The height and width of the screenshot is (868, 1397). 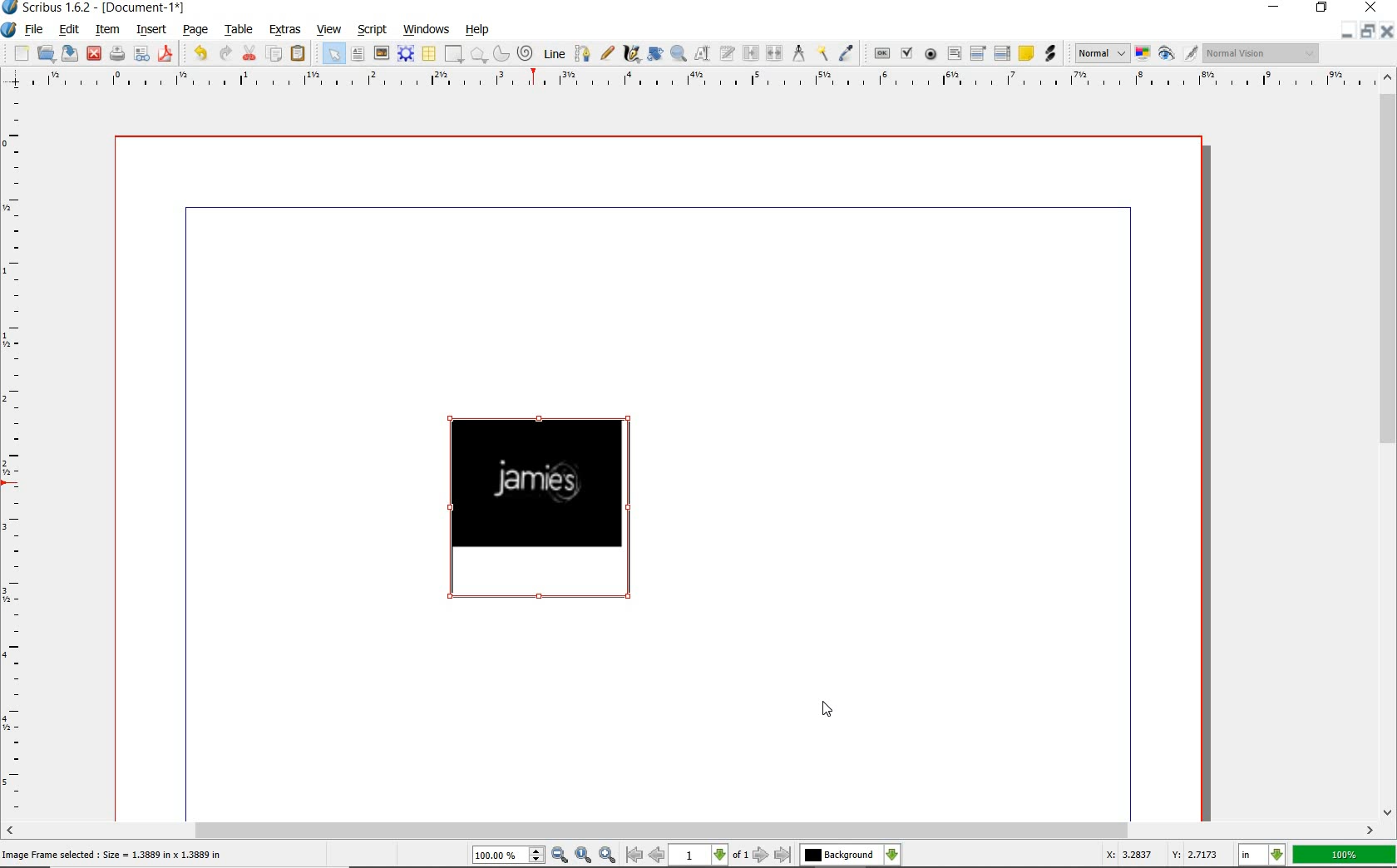 What do you see at coordinates (108, 28) in the screenshot?
I see `item` at bounding box center [108, 28].